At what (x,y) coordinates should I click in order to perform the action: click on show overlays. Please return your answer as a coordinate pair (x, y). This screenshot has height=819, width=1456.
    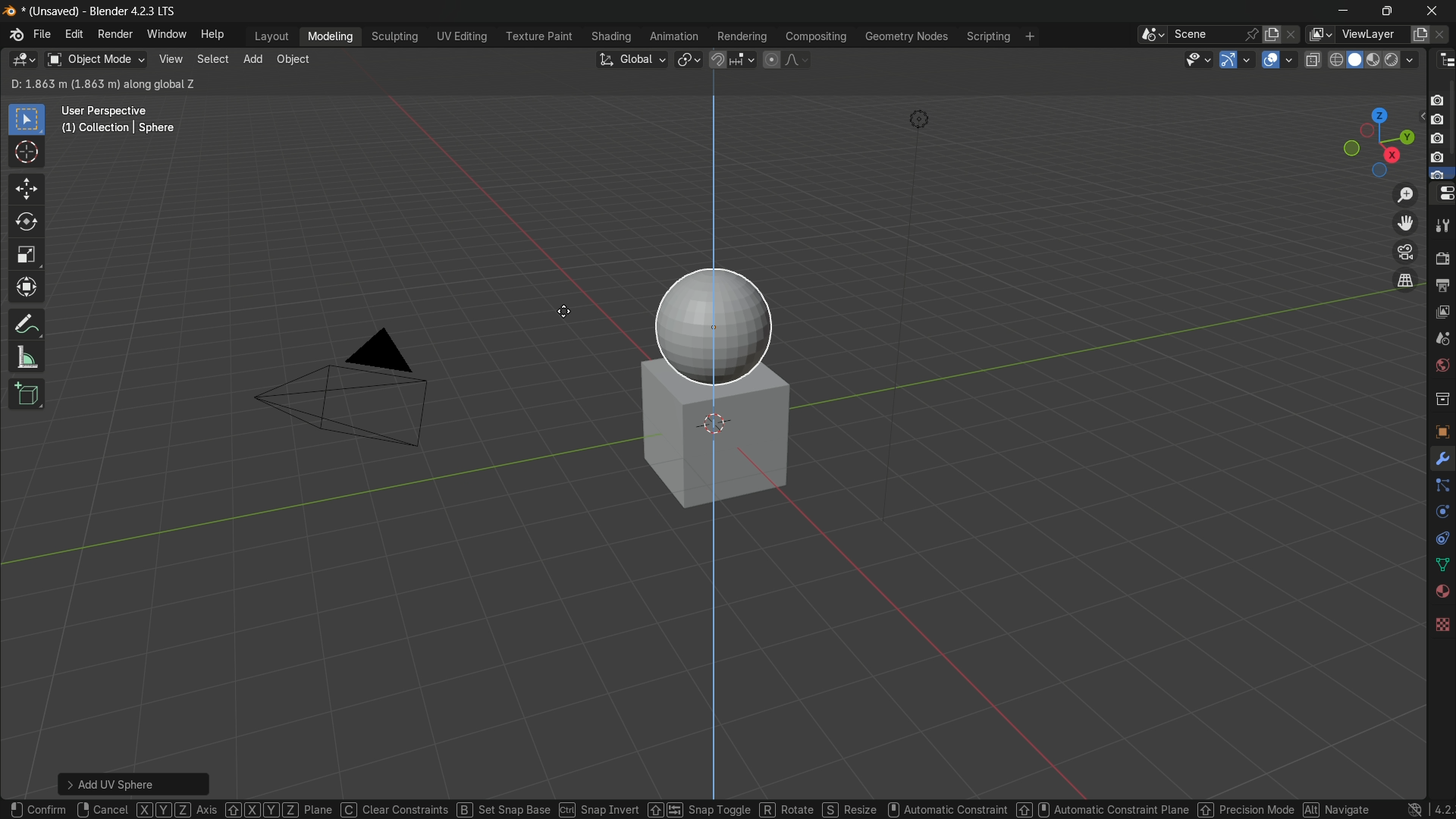
    Looking at the image, I should click on (1291, 60).